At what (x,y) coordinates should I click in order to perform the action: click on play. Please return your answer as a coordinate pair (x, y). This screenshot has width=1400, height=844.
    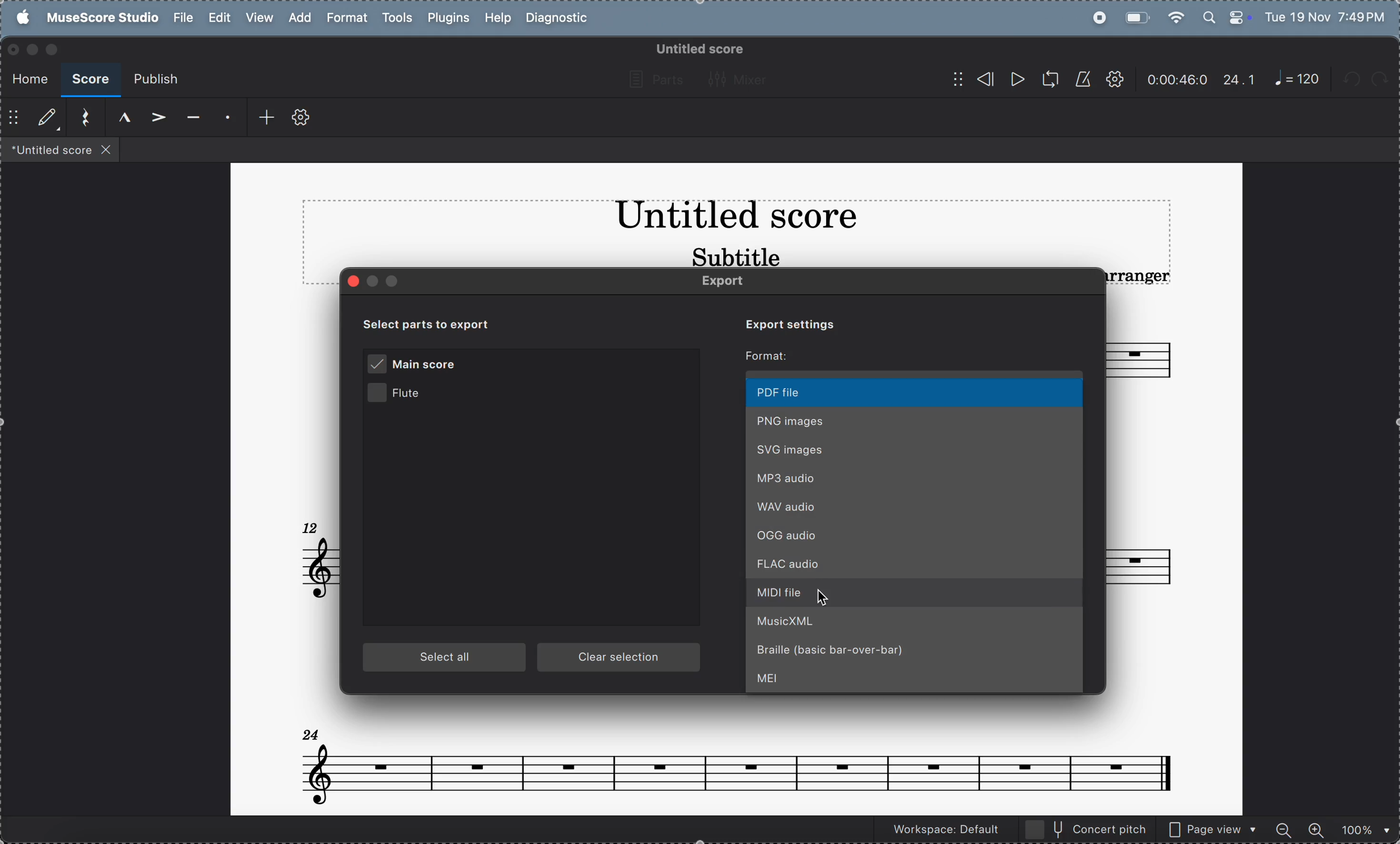
    Looking at the image, I should click on (1016, 81).